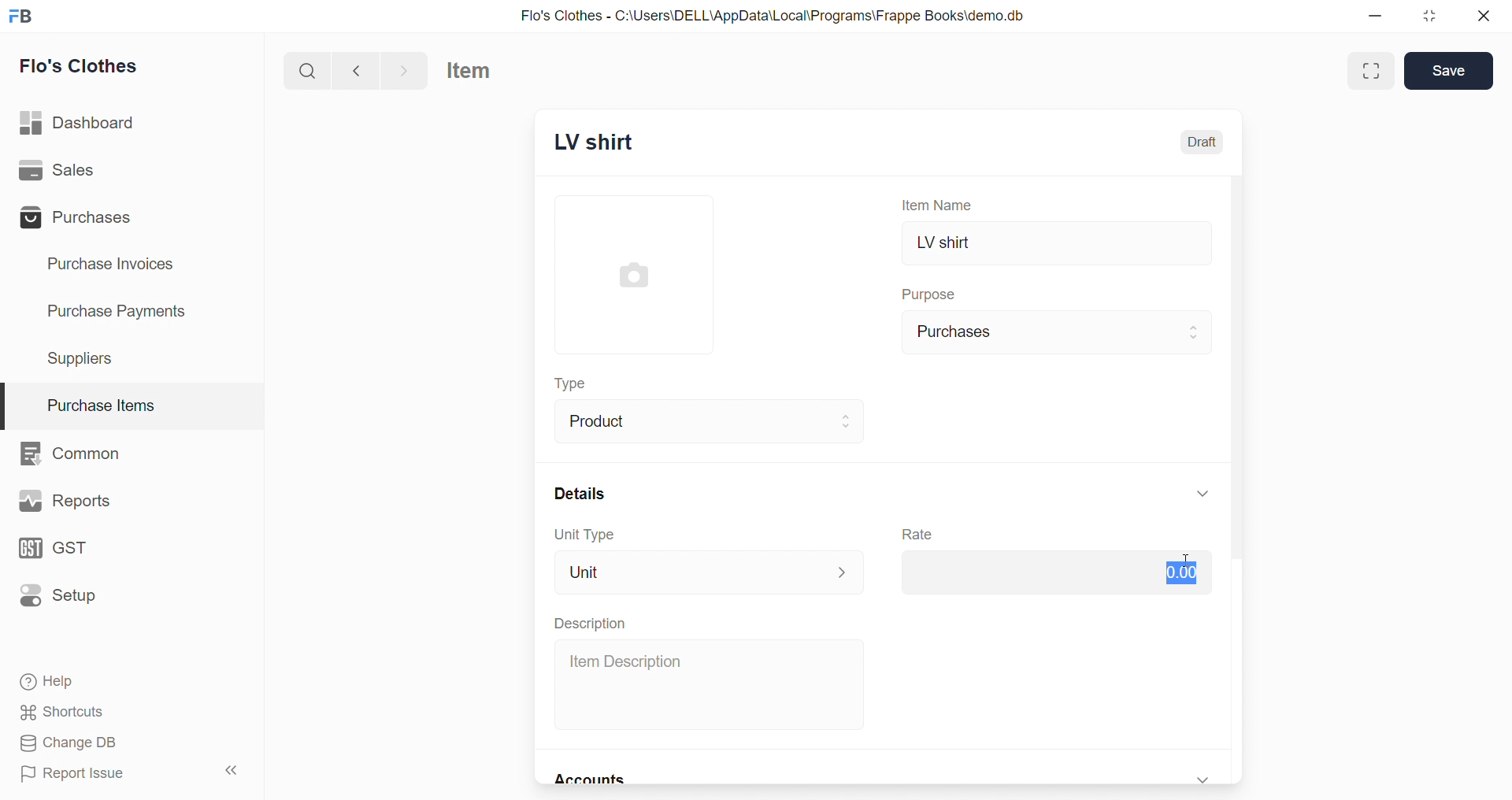  I want to click on Suppliers, so click(87, 357).